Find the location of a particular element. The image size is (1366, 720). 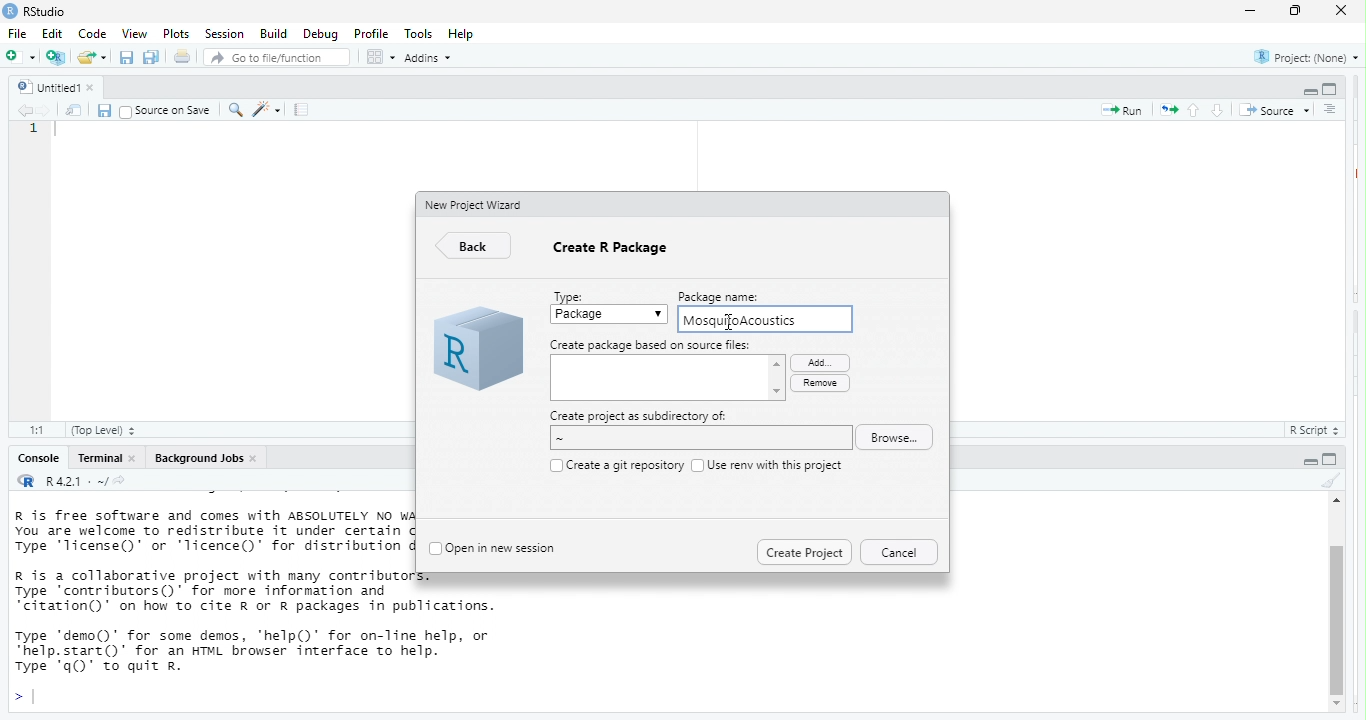

Background Jobs is located at coordinates (198, 459).